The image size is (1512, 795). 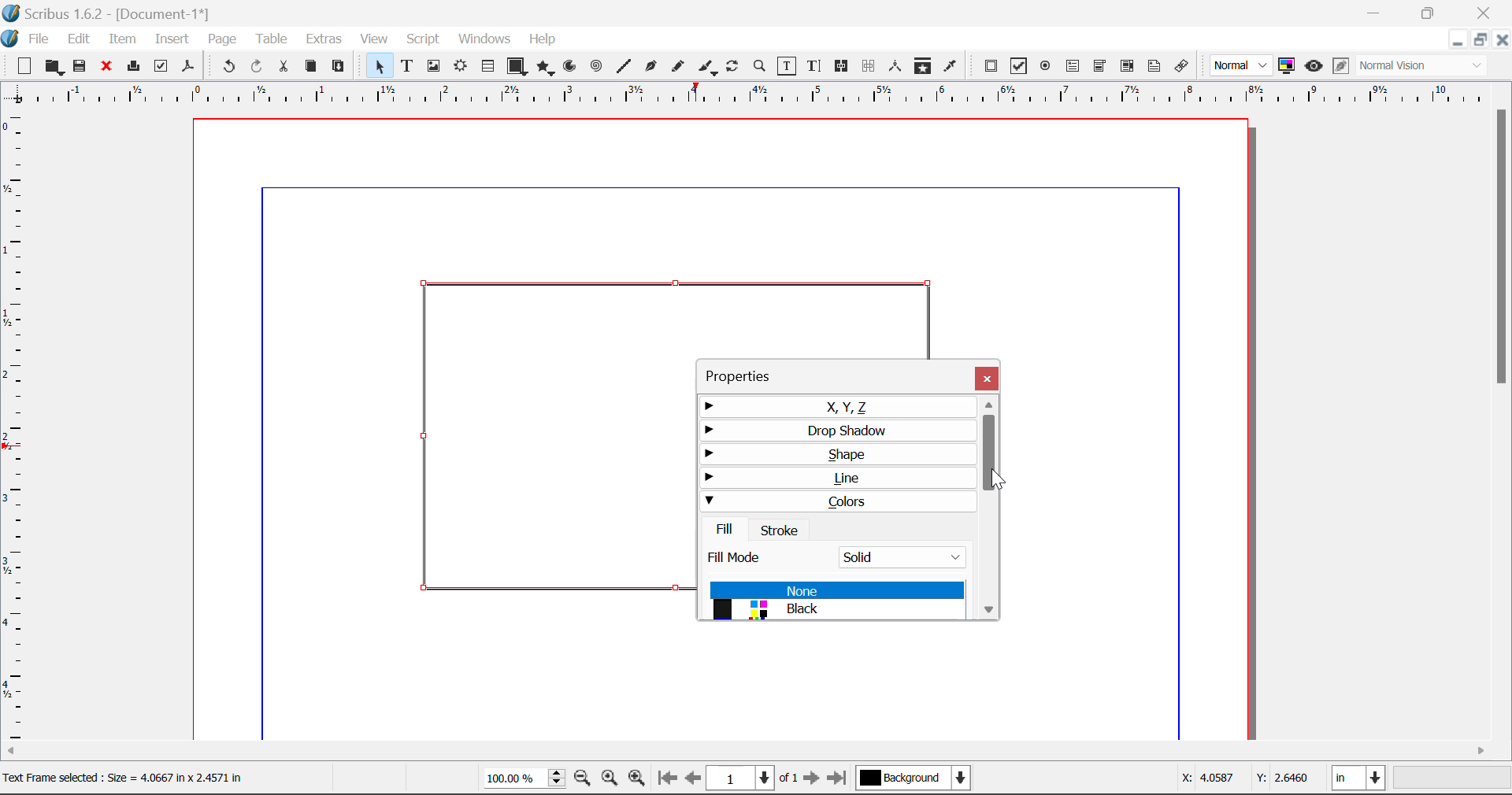 What do you see at coordinates (649, 66) in the screenshot?
I see `Bezier Curve` at bounding box center [649, 66].